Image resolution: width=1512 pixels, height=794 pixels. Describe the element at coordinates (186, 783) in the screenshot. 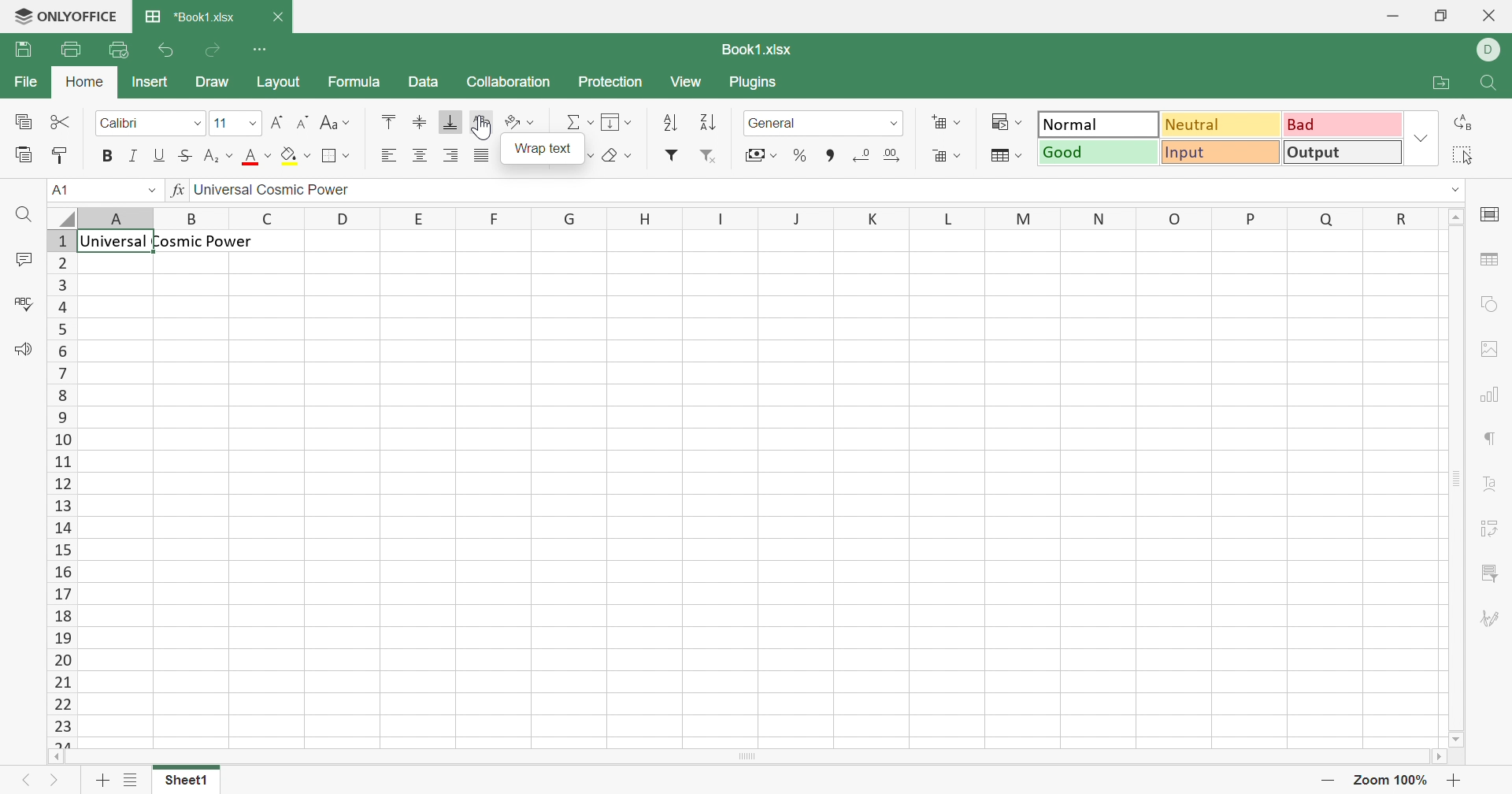

I see `Sheet1` at that location.